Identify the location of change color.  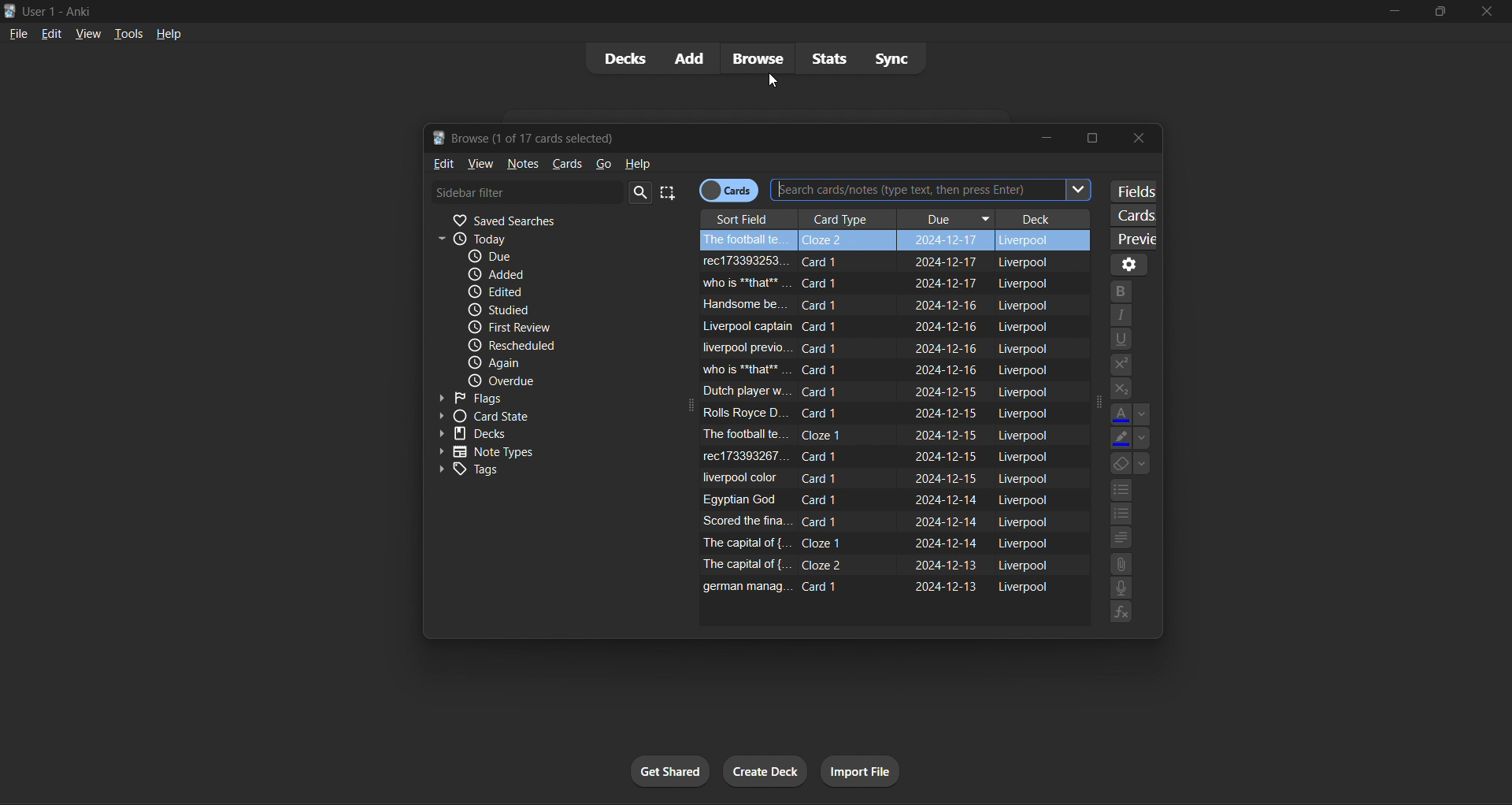
(1122, 438).